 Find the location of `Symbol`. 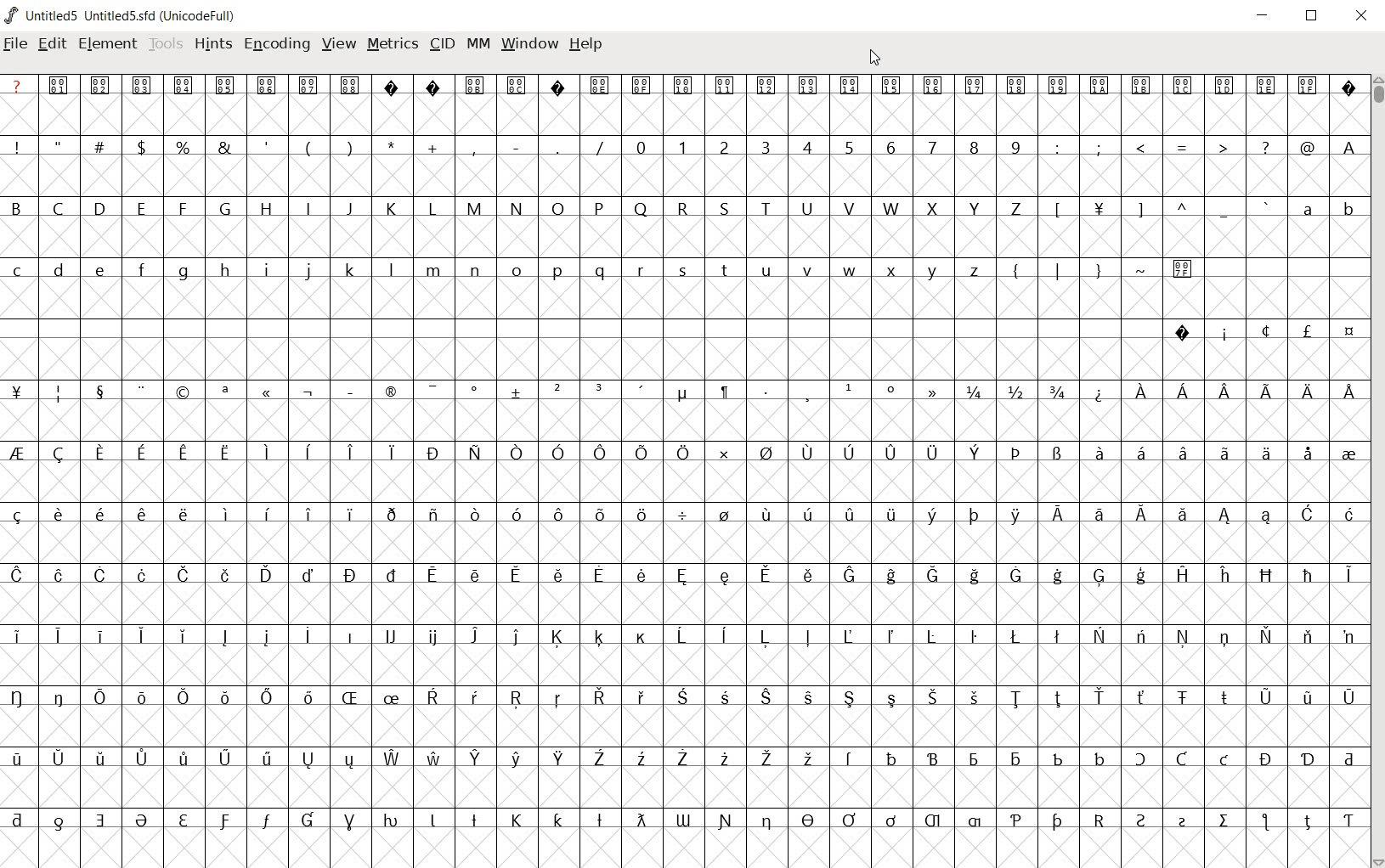

Symbol is located at coordinates (476, 85).